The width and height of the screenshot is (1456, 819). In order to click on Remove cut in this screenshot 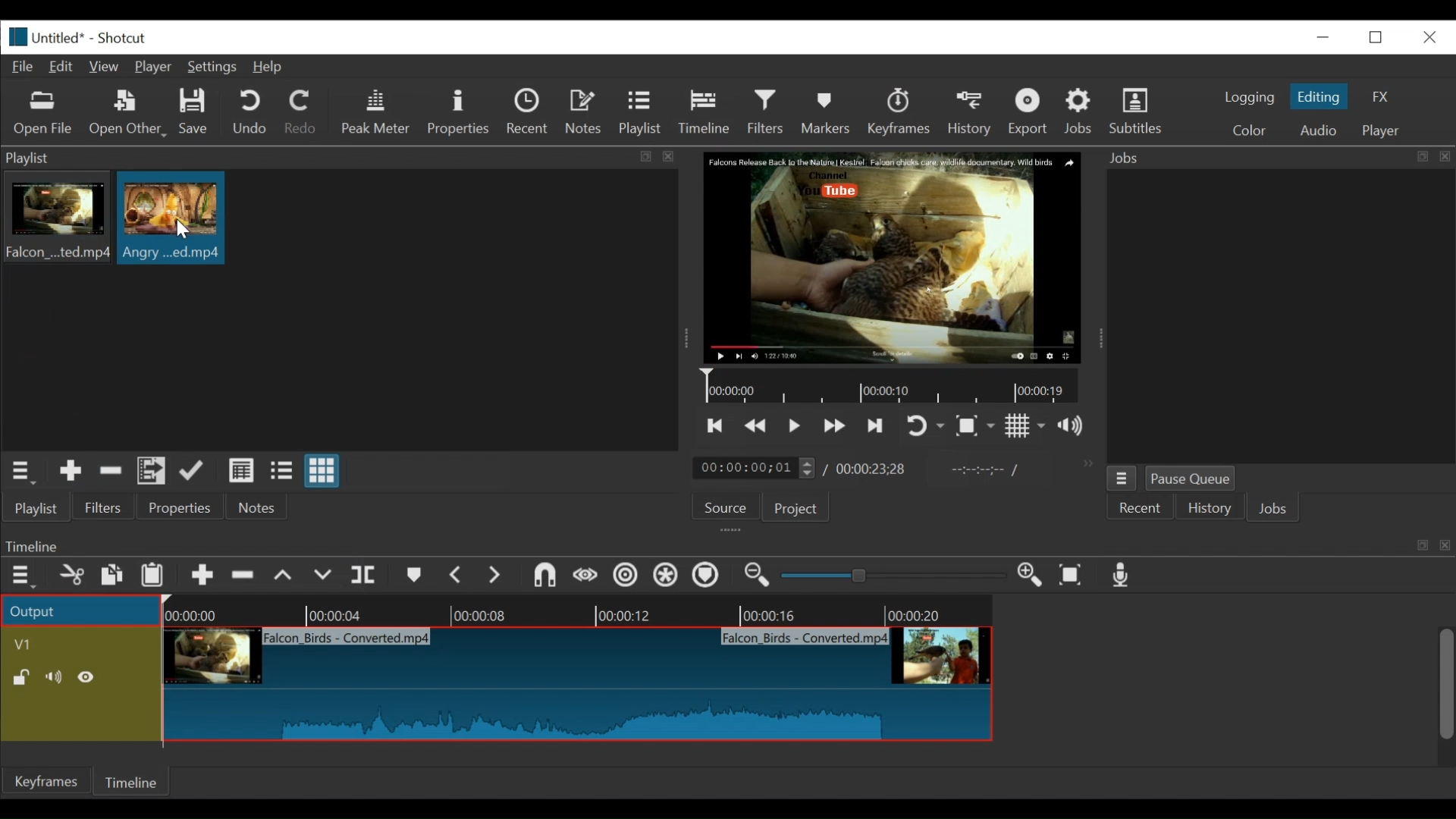, I will do `click(245, 578)`.